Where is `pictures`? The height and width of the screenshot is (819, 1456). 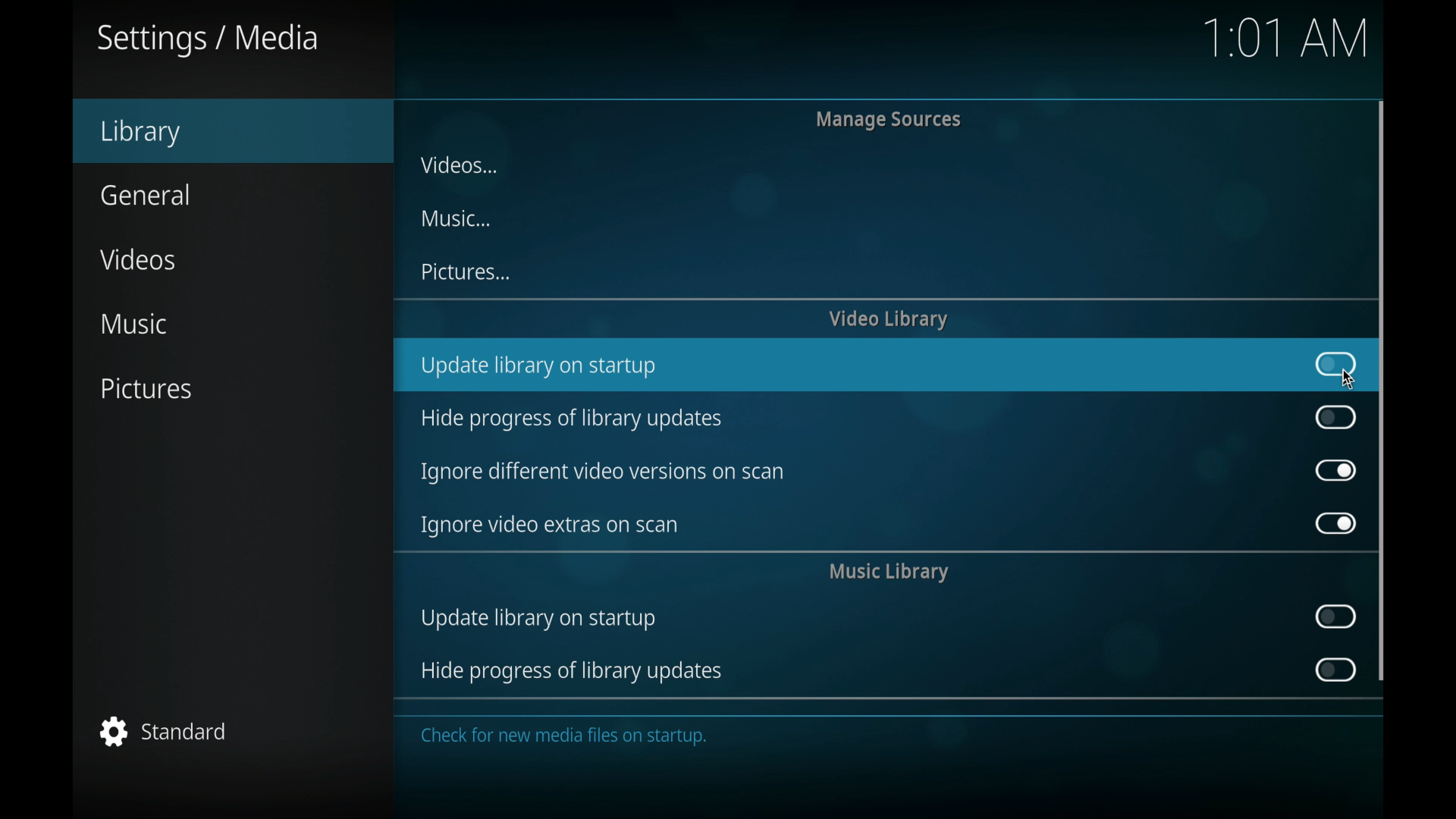
pictures is located at coordinates (465, 271).